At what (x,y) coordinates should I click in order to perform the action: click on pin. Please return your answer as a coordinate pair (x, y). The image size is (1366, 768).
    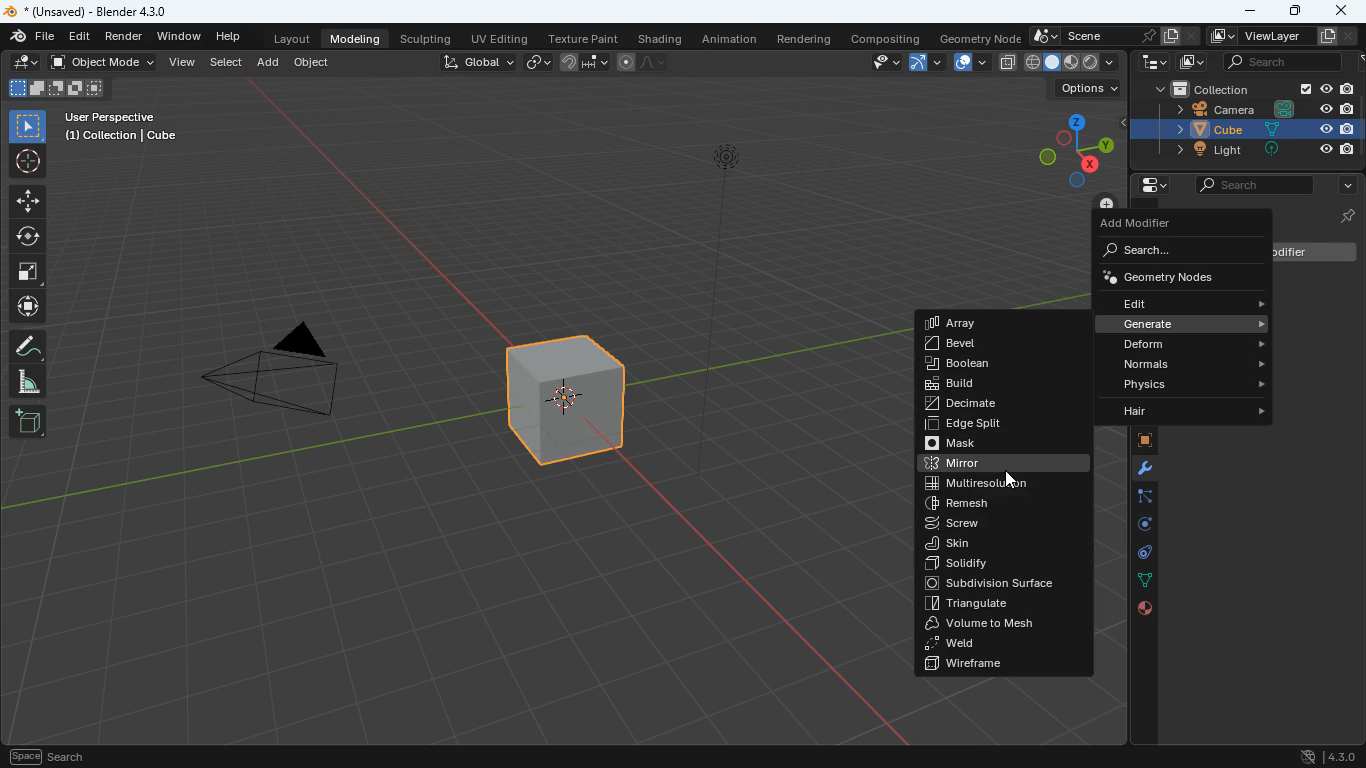
    Looking at the image, I should click on (1344, 215).